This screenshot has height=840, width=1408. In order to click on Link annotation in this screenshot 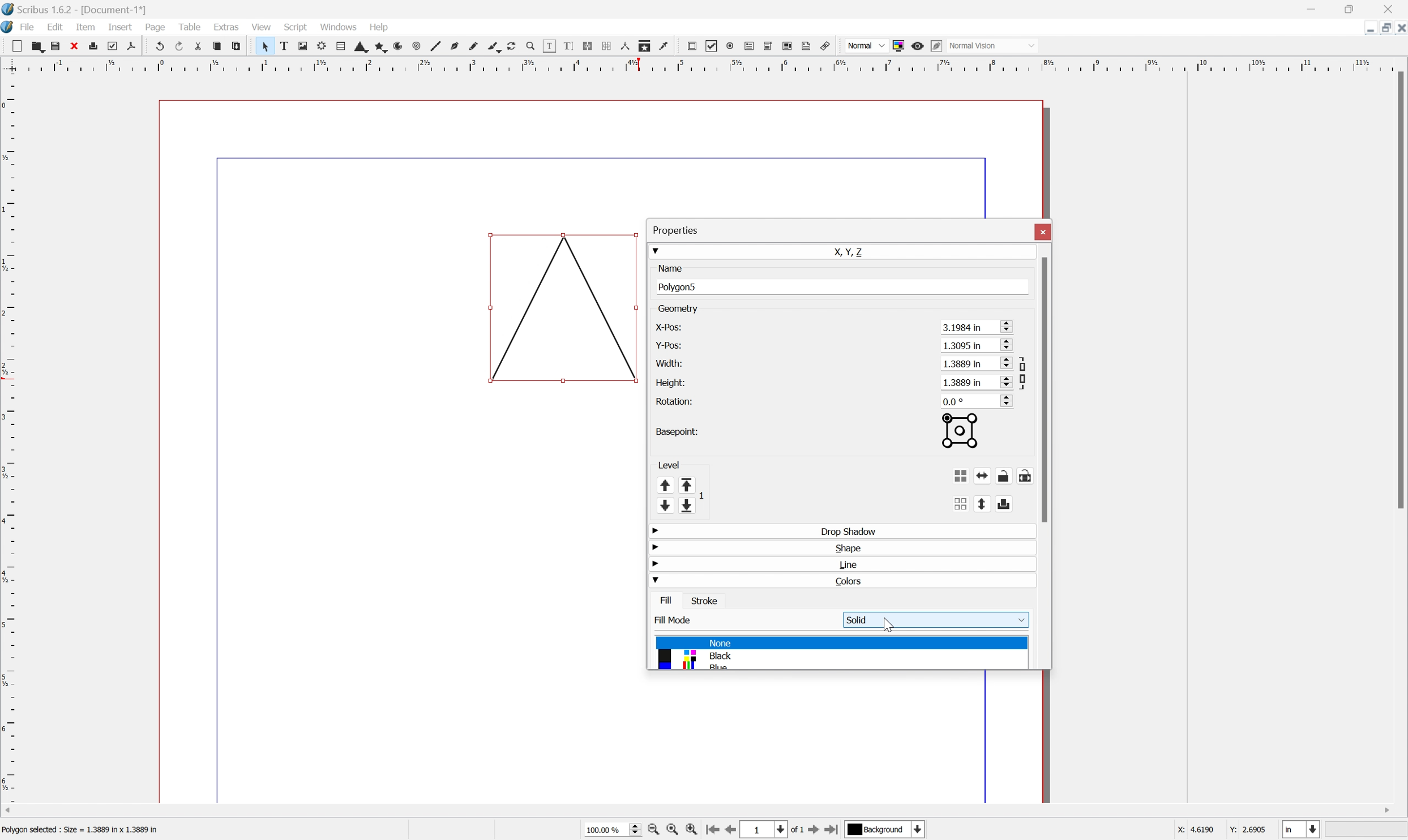, I will do `click(827, 45)`.